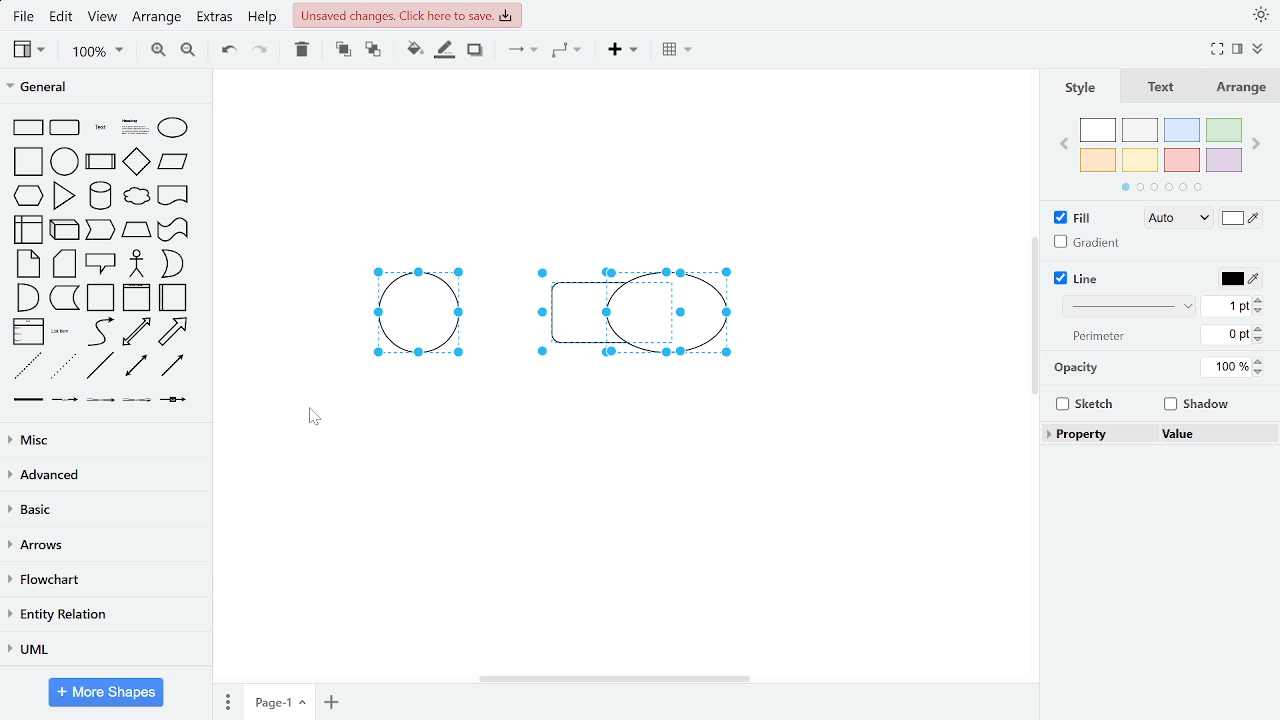 This screenshot has width=1280, height=720. What do you see at coordinates (102, 475) in the screenshot?
I see `advanced` at bounding box center [102, 475].